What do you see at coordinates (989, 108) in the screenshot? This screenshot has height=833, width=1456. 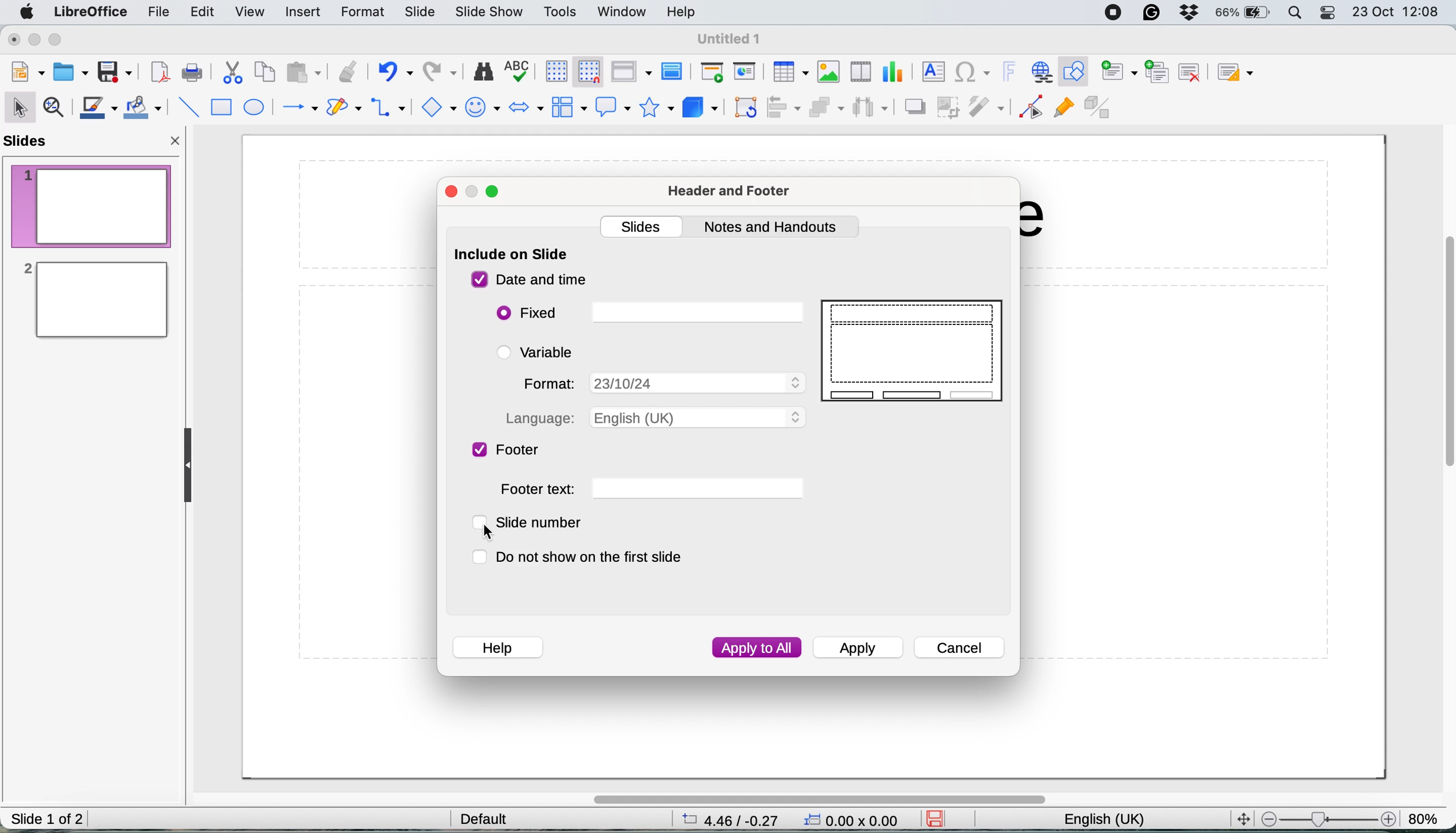 I see `filter` at bounding box center [989, 108].